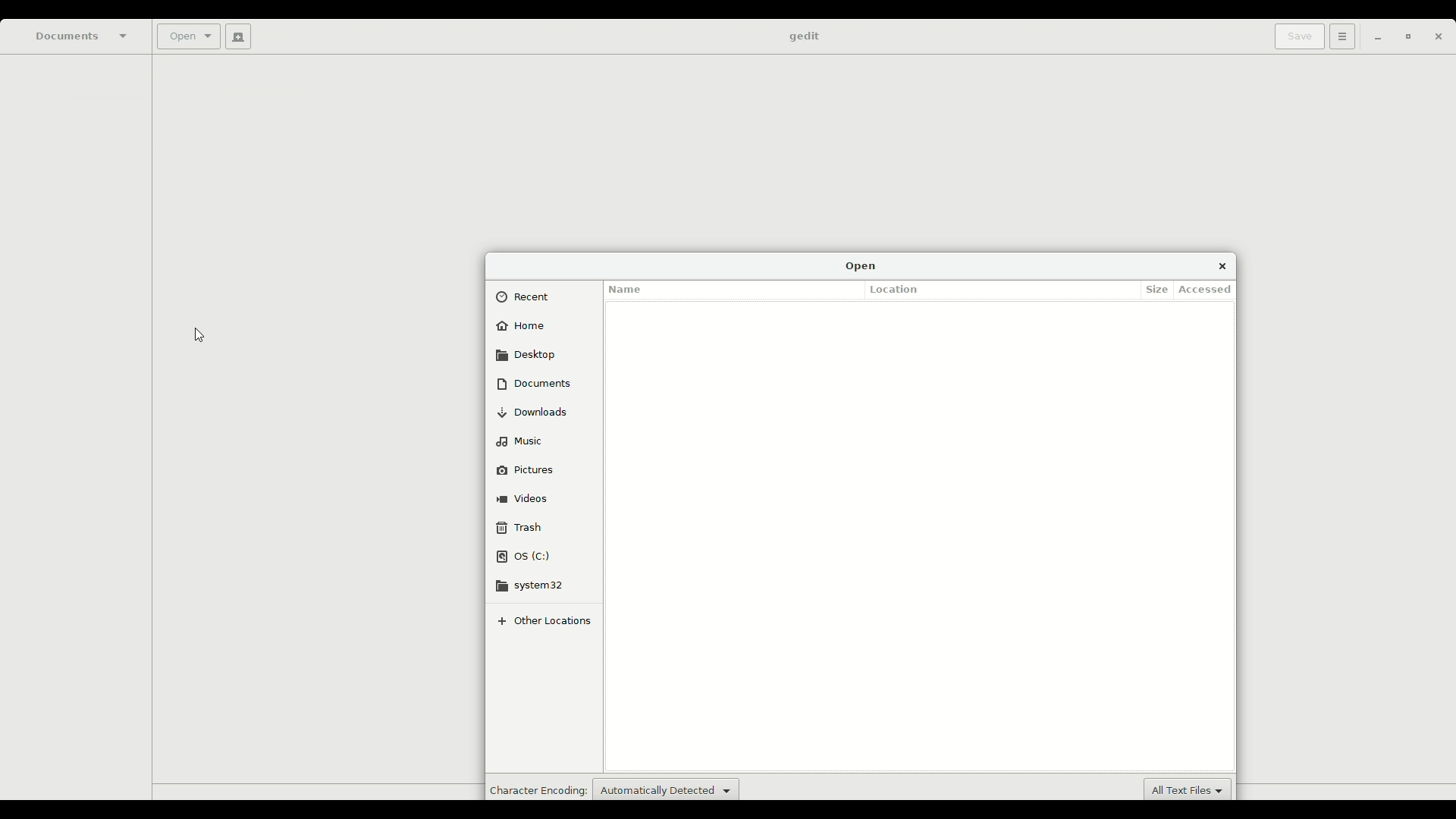 This screenshot has width=1456, height=819. Describe the element at coordinates (536, 789) in the screenshot. I see `Character encoding` at that location.